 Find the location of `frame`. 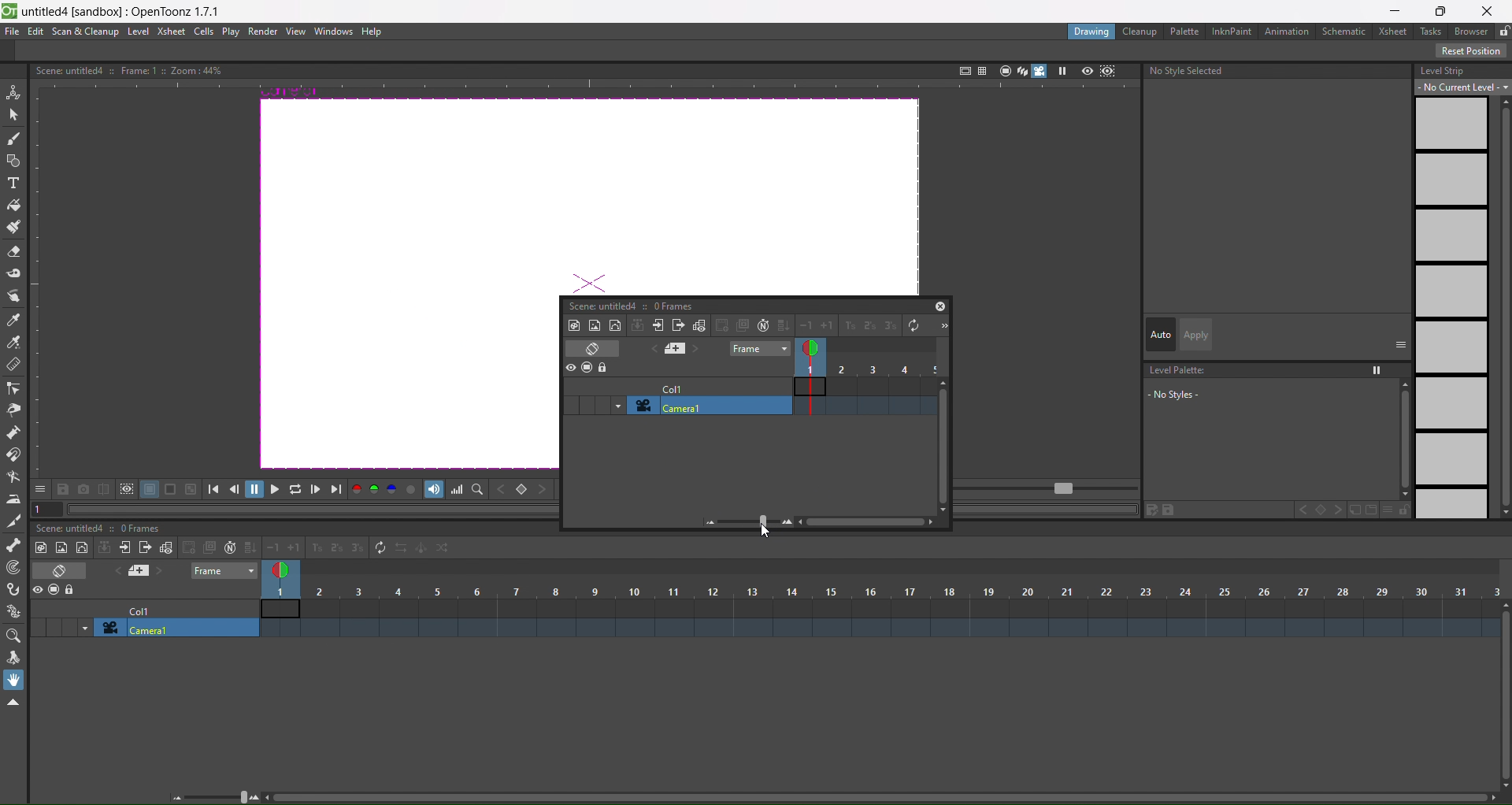

frame is located at coordinates (758, 349).